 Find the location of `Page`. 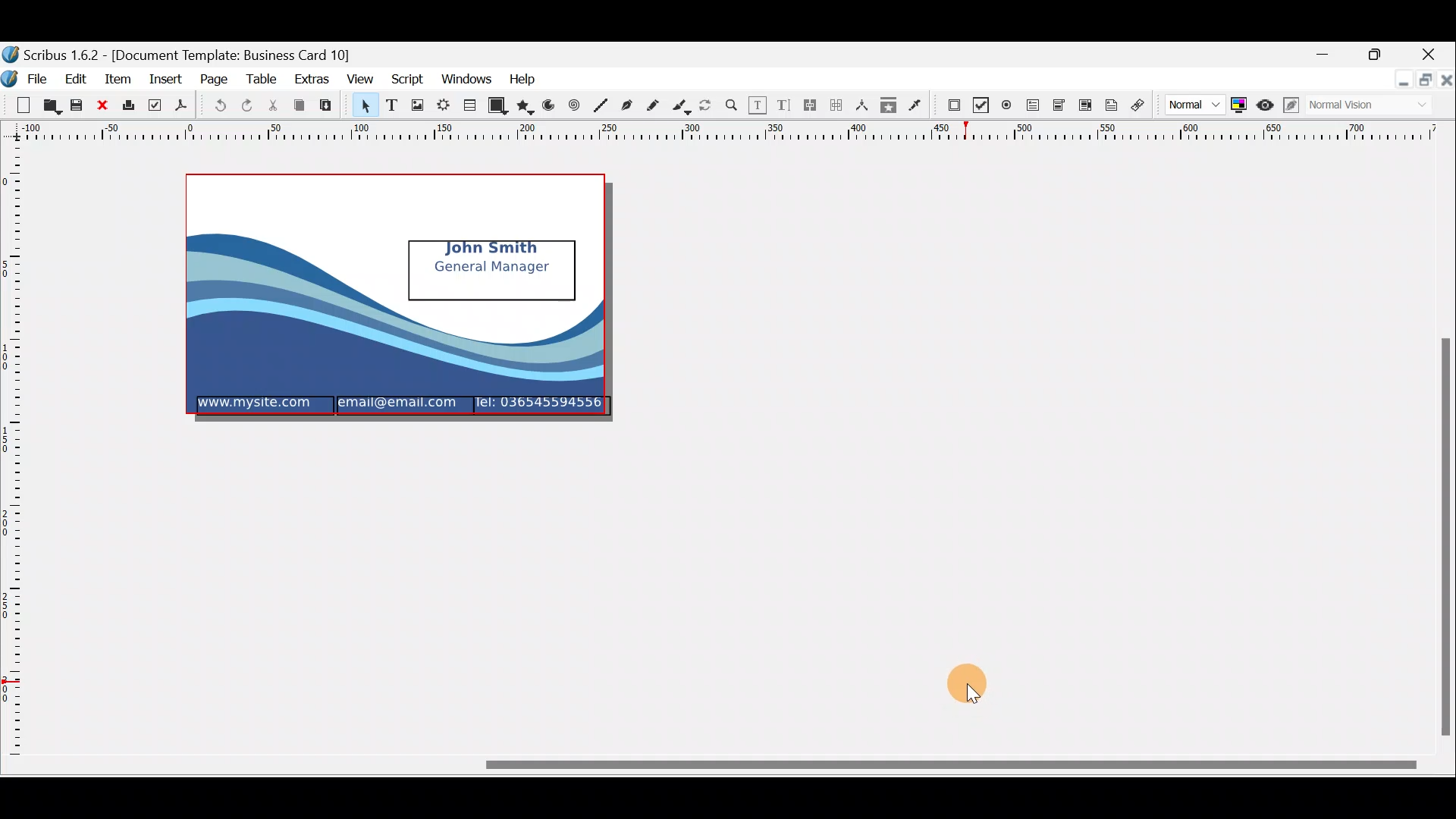

Page is located at coordinates (213, 78).